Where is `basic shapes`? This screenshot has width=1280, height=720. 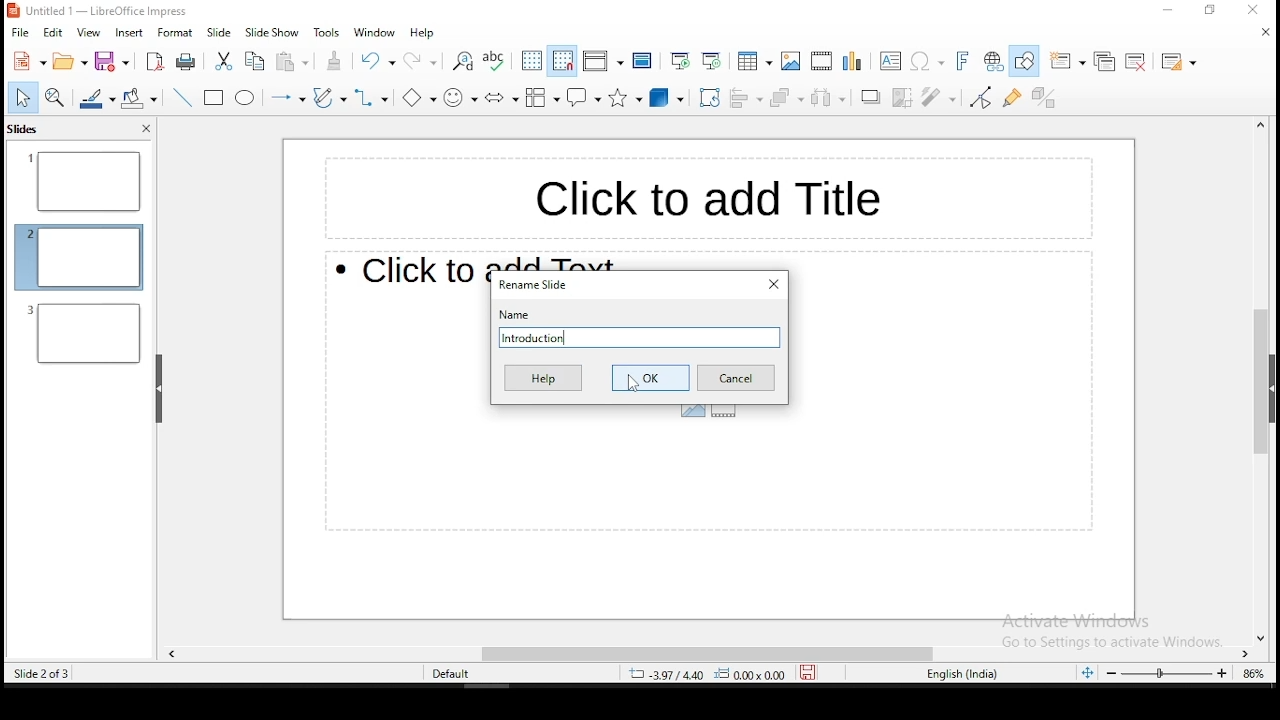 basic shapes is located at coordinates (414, 96).